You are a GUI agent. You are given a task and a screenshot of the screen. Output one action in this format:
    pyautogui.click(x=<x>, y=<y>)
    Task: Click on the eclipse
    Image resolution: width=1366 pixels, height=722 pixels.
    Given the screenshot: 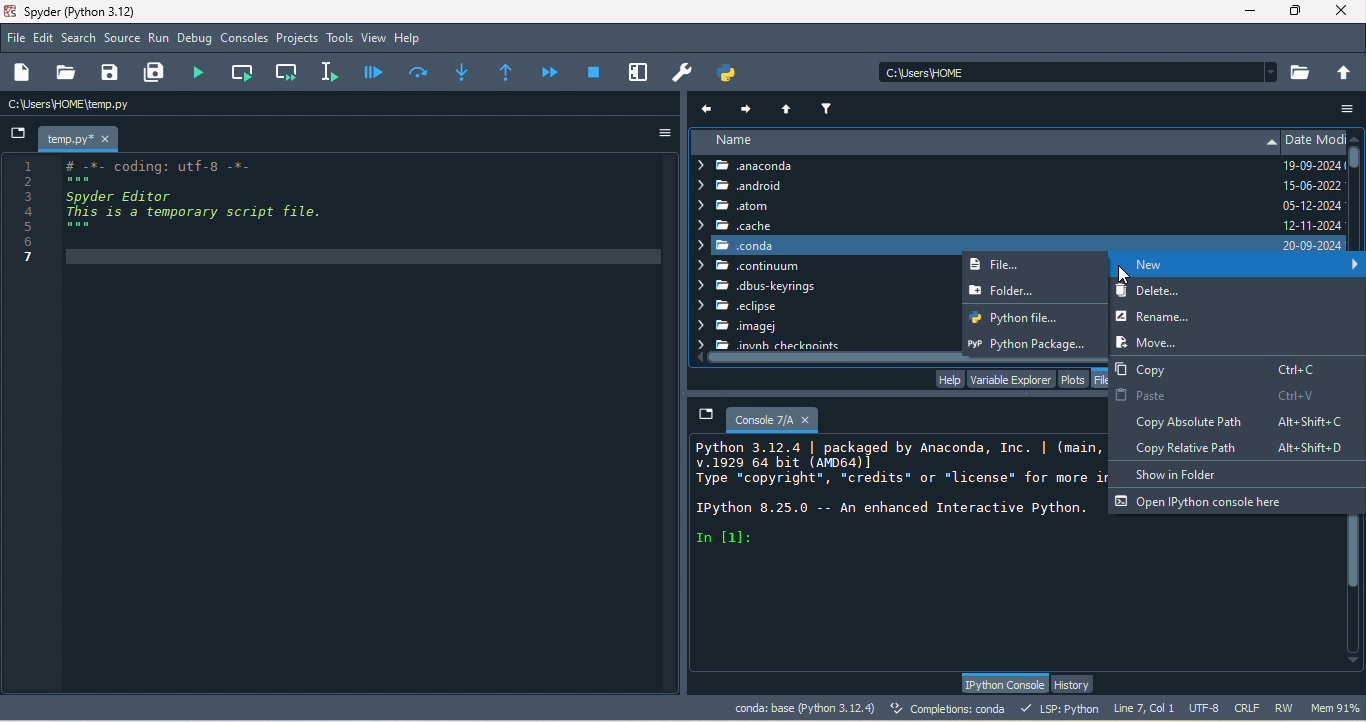 What is the action you would take?
    pyautogui.click(x=737, y=307)
    